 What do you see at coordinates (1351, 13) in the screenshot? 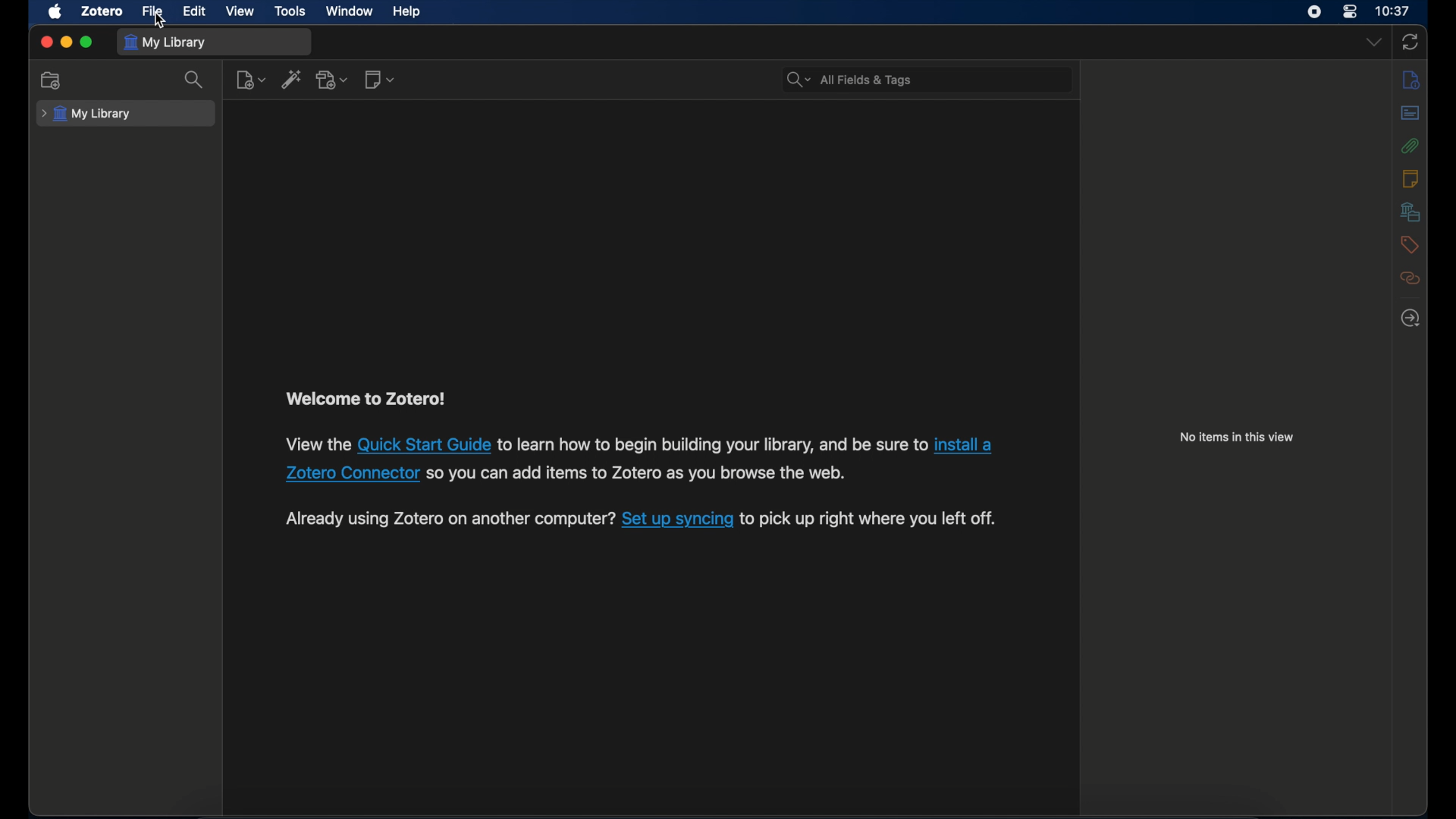
I see `control center` at bounding box center [1351, 13].